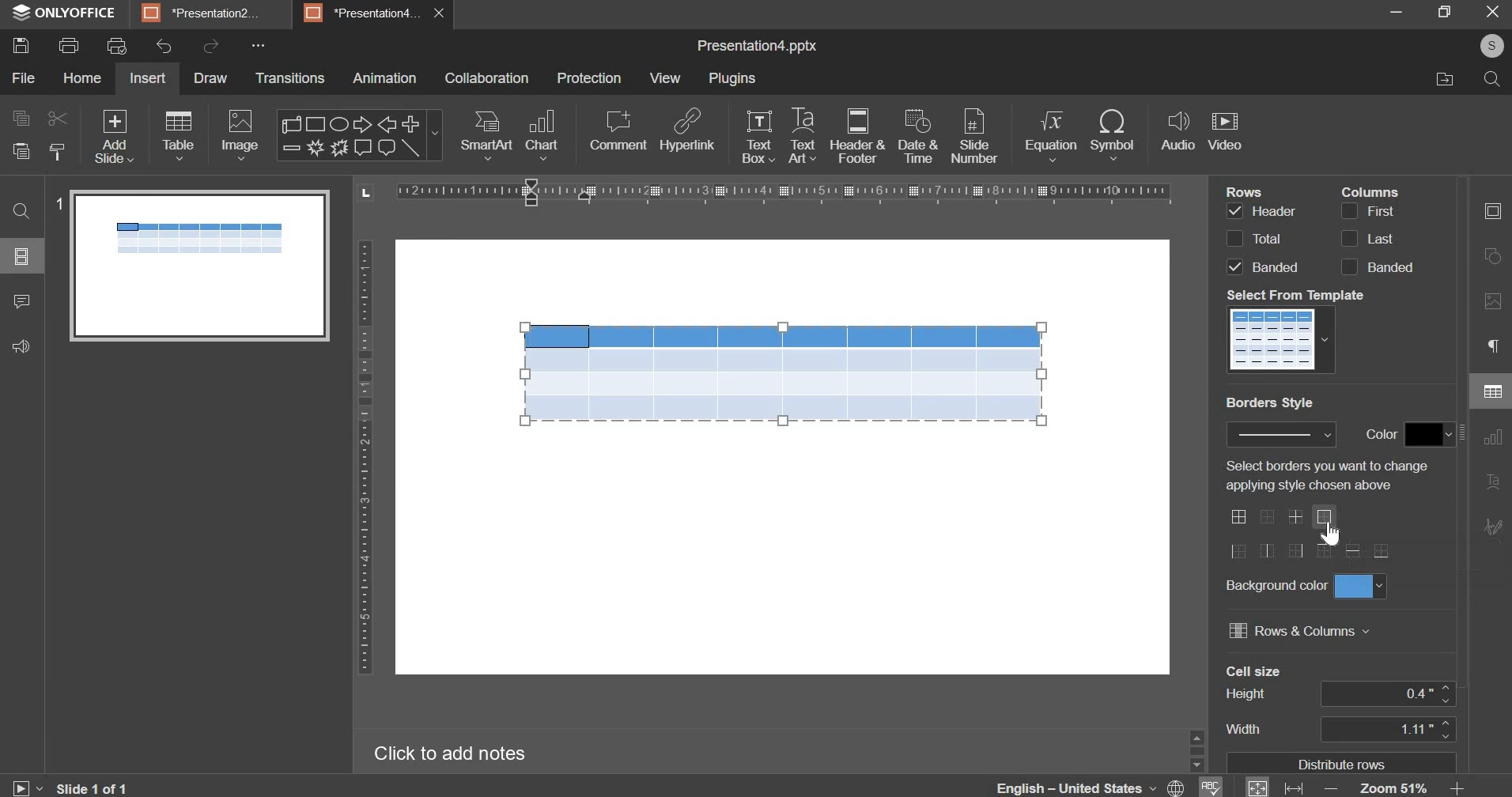 The width and height of the screenshot is (1512, 797). What do you see at coordinates (164, 46) in the screenshot?
I see `undo` at bounding box center [164, 46].